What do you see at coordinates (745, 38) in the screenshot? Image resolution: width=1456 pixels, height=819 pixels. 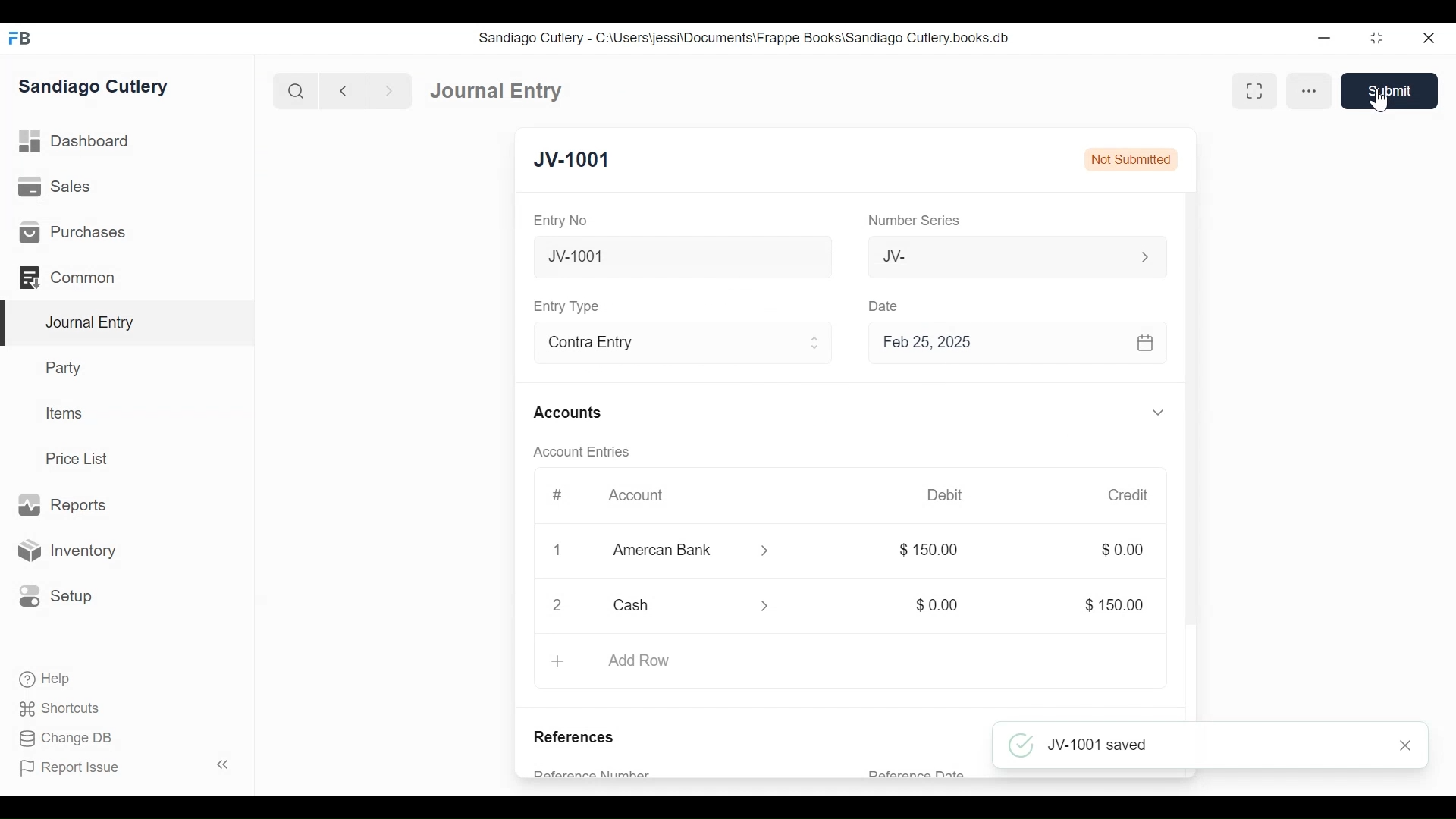 I see `Sandiago Cutlery - C:\Users\jessi\Documents\Frappe Books\Sandiago Cutlery.books.db` at bounding box center [745, 38].